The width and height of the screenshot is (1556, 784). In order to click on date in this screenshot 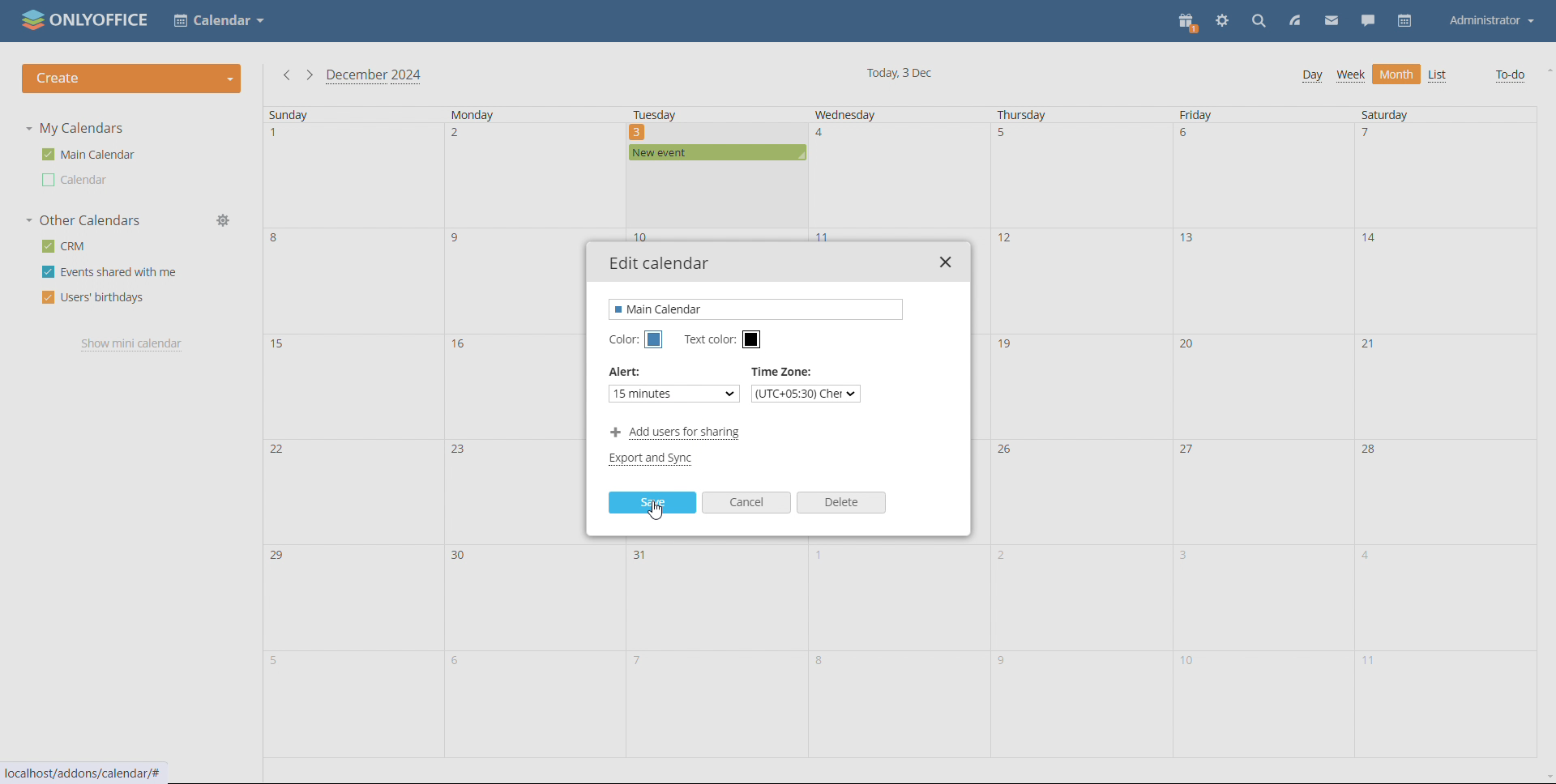, I will do `click(348, 597)`.